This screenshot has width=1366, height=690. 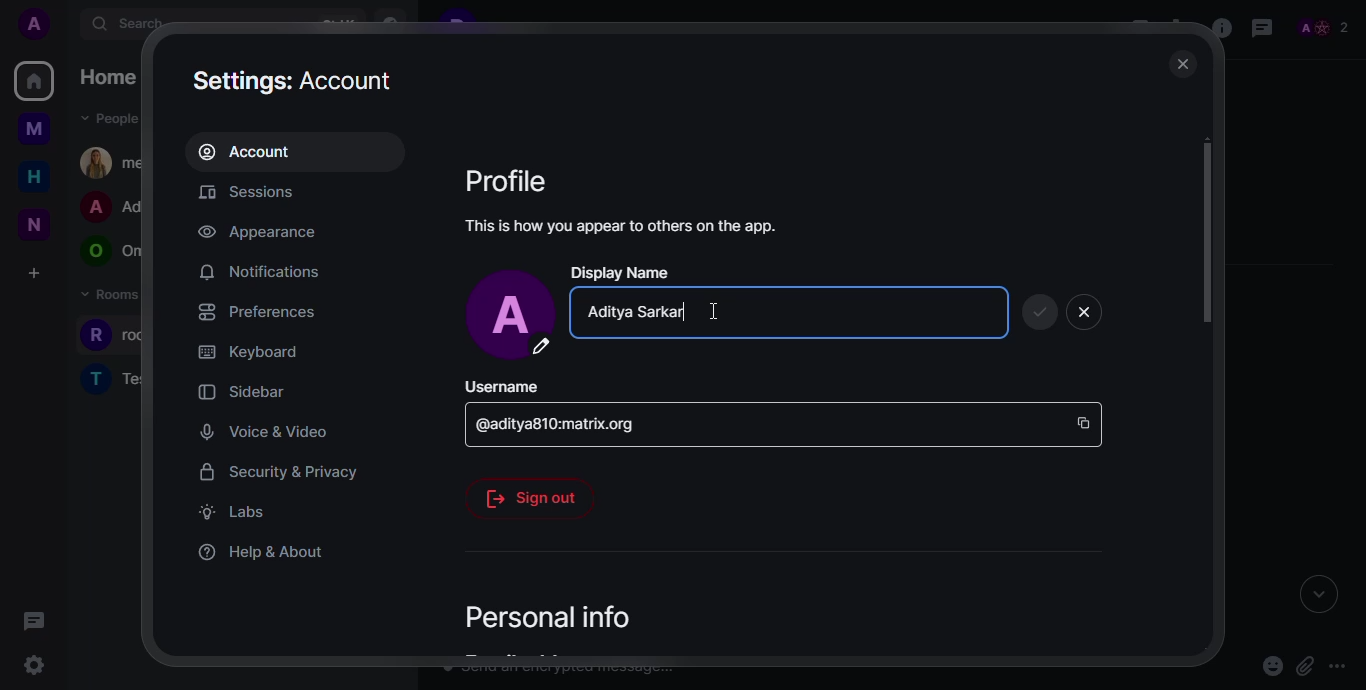 I want to click on settings, so click(x=296, y=79).